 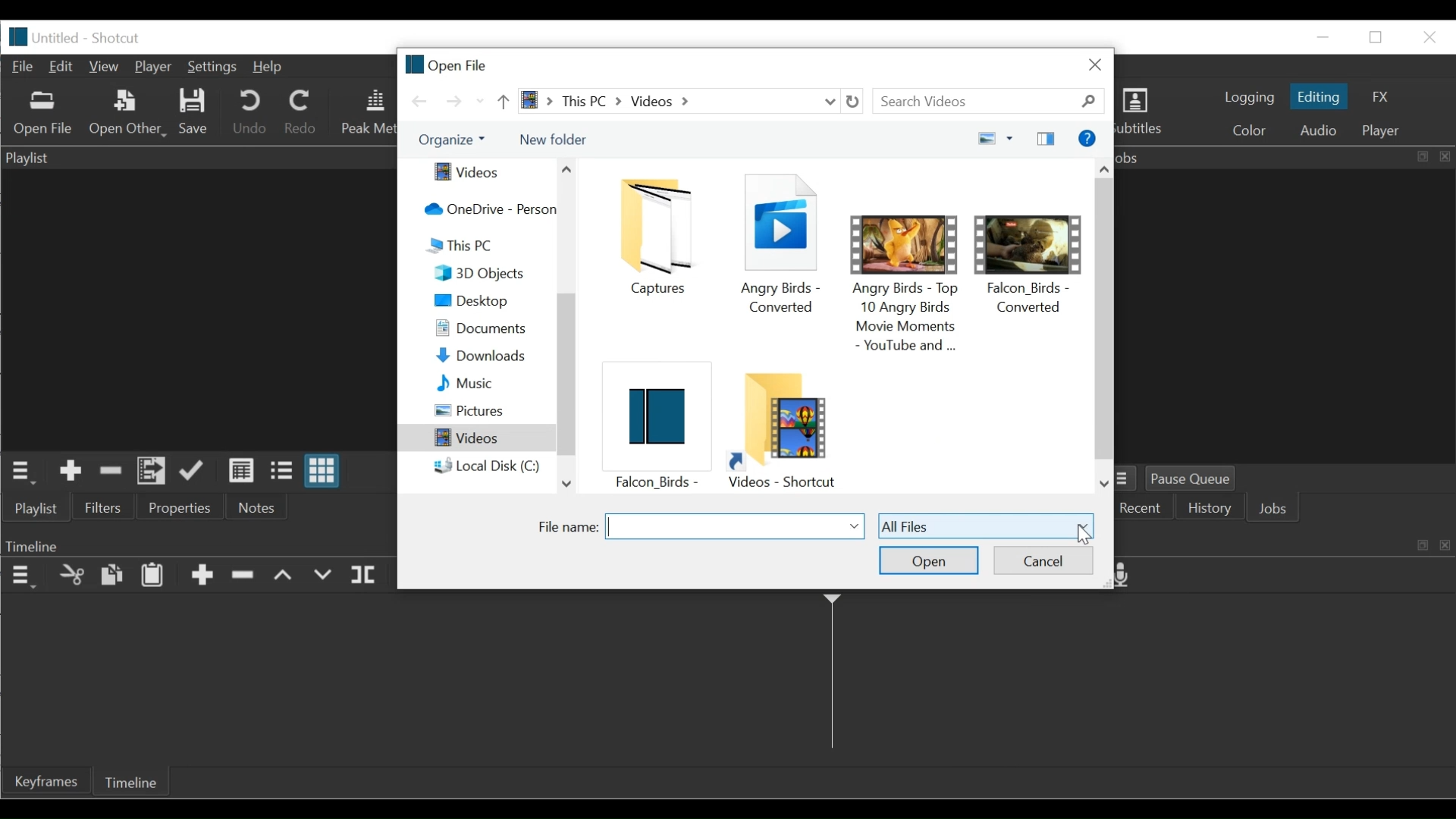 What do you see at coordinates (653, 425) in the screenshot?
I see `flcon _ birds -` at bounding box center [653, 425].